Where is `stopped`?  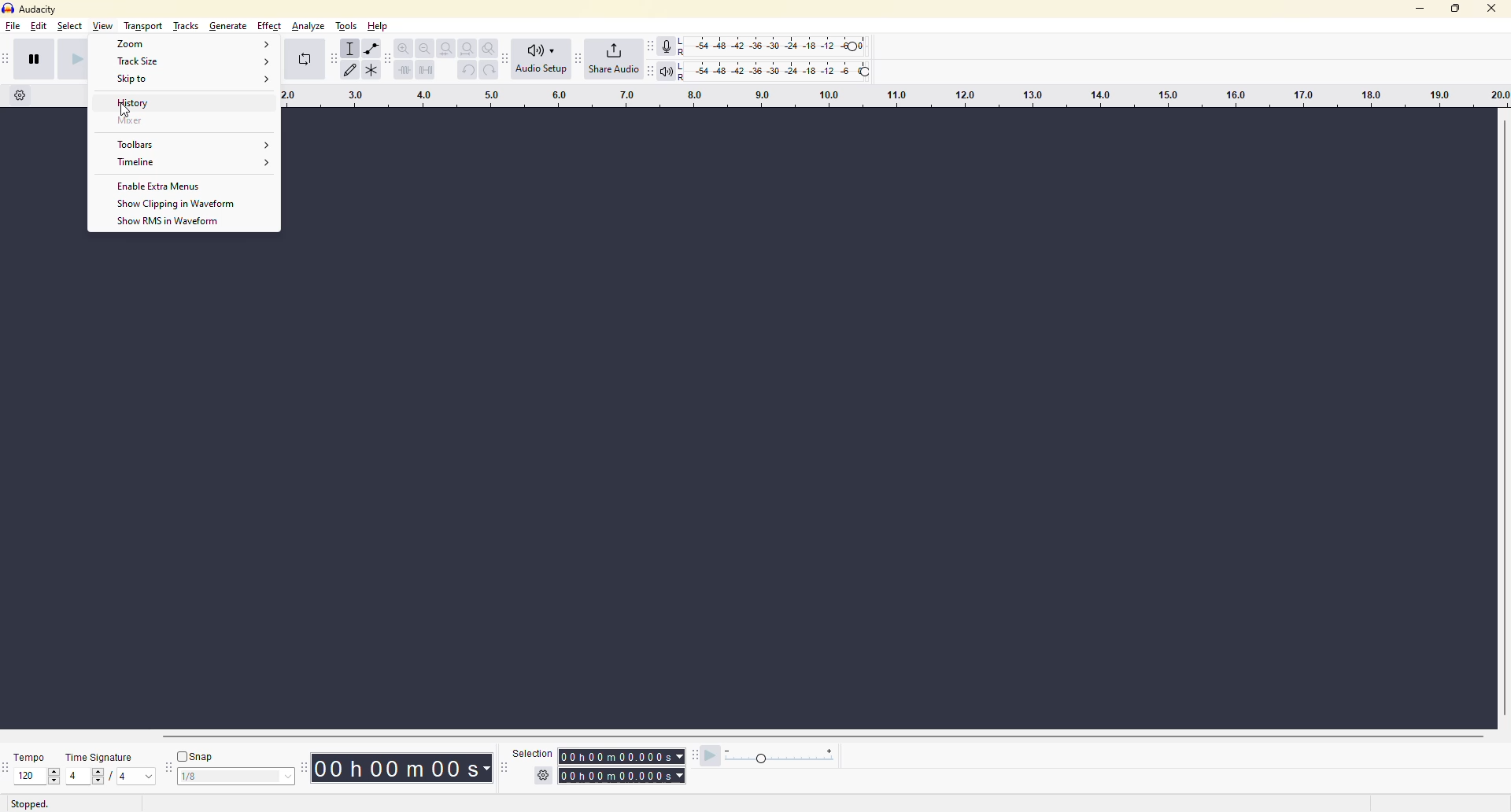
stopped is located at coordinates (30, 804).